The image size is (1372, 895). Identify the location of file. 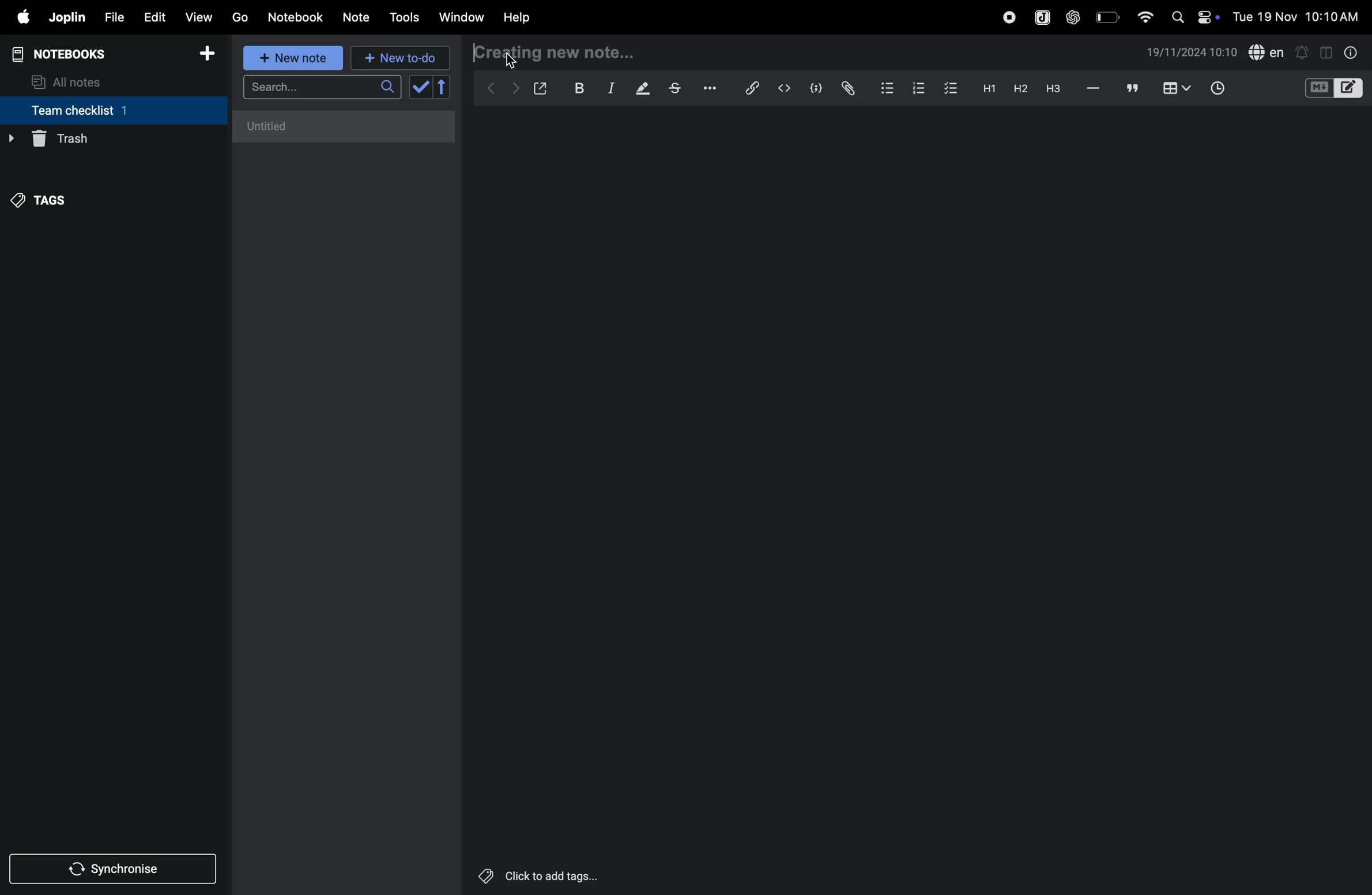
(114, 16).